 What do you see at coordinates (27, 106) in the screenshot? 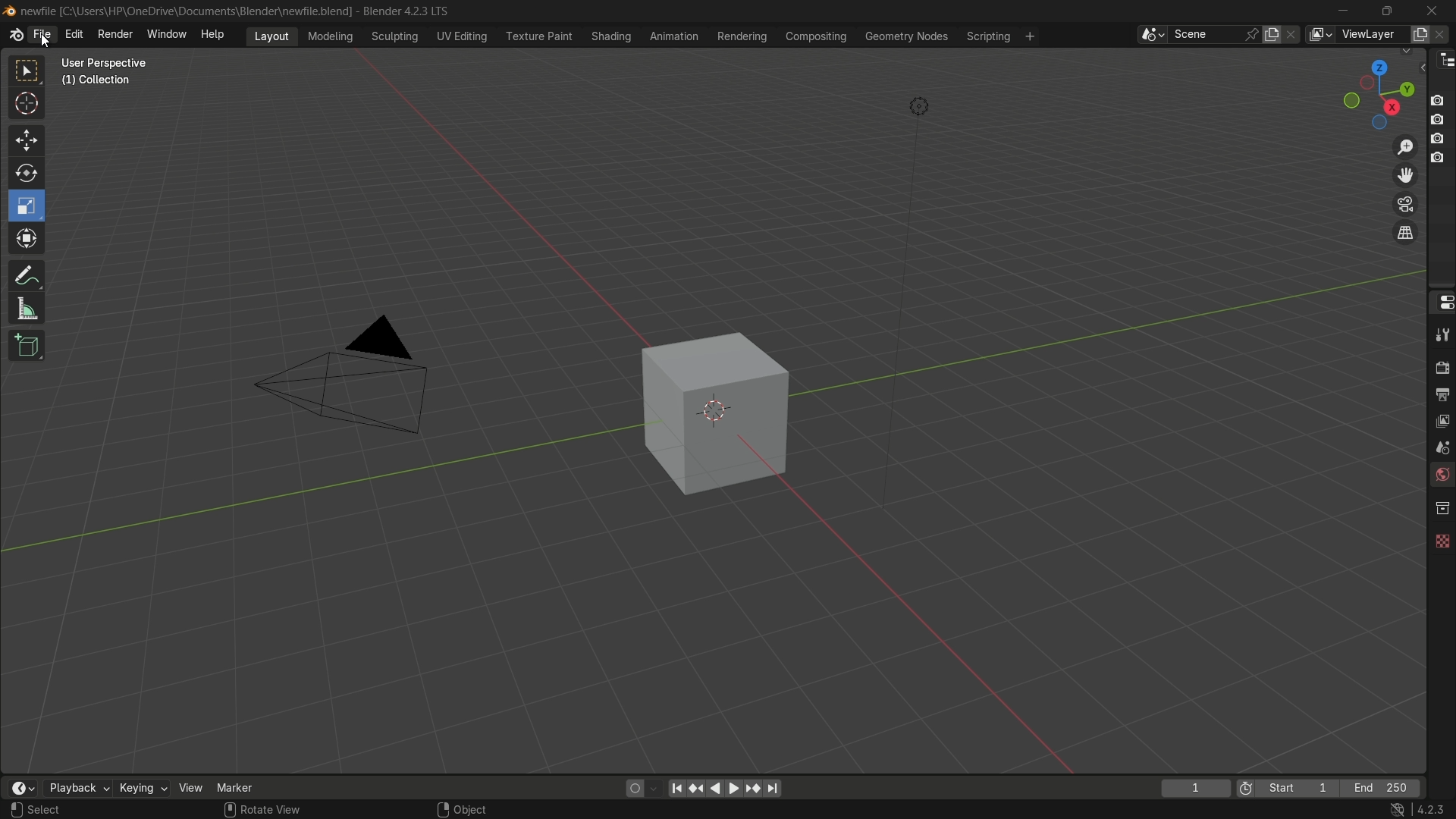
I see `cursor` at bounding box center [27, 106].